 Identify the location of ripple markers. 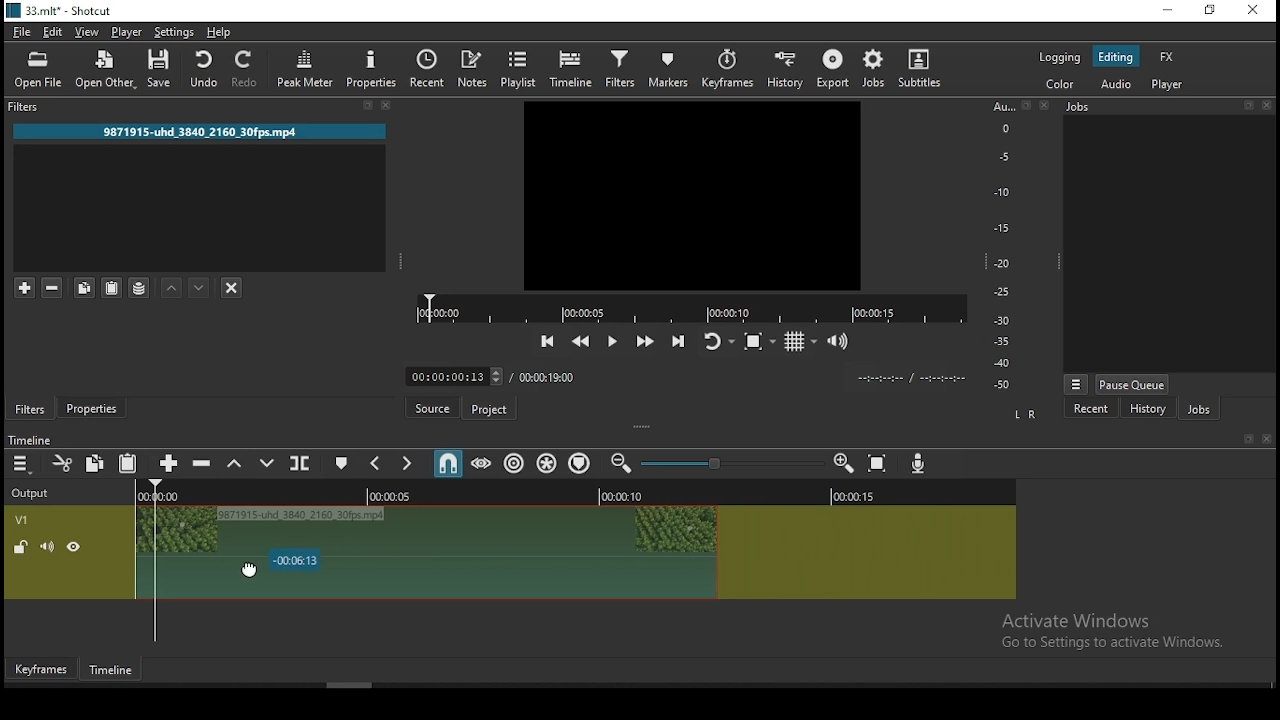
(582, 463).